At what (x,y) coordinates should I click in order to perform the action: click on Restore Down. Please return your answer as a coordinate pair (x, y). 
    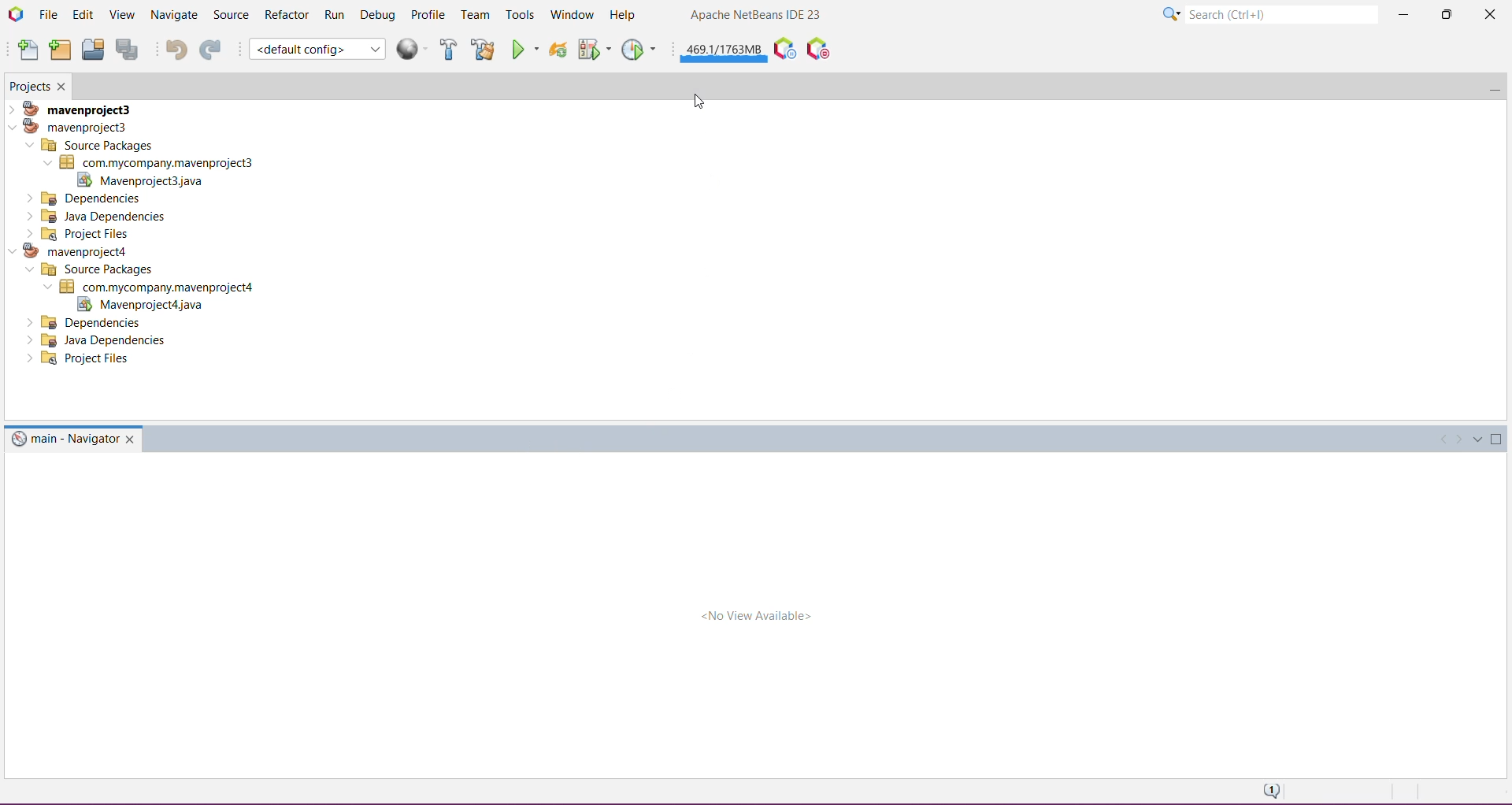
    Looking at the image, I should click on (1444, 14).